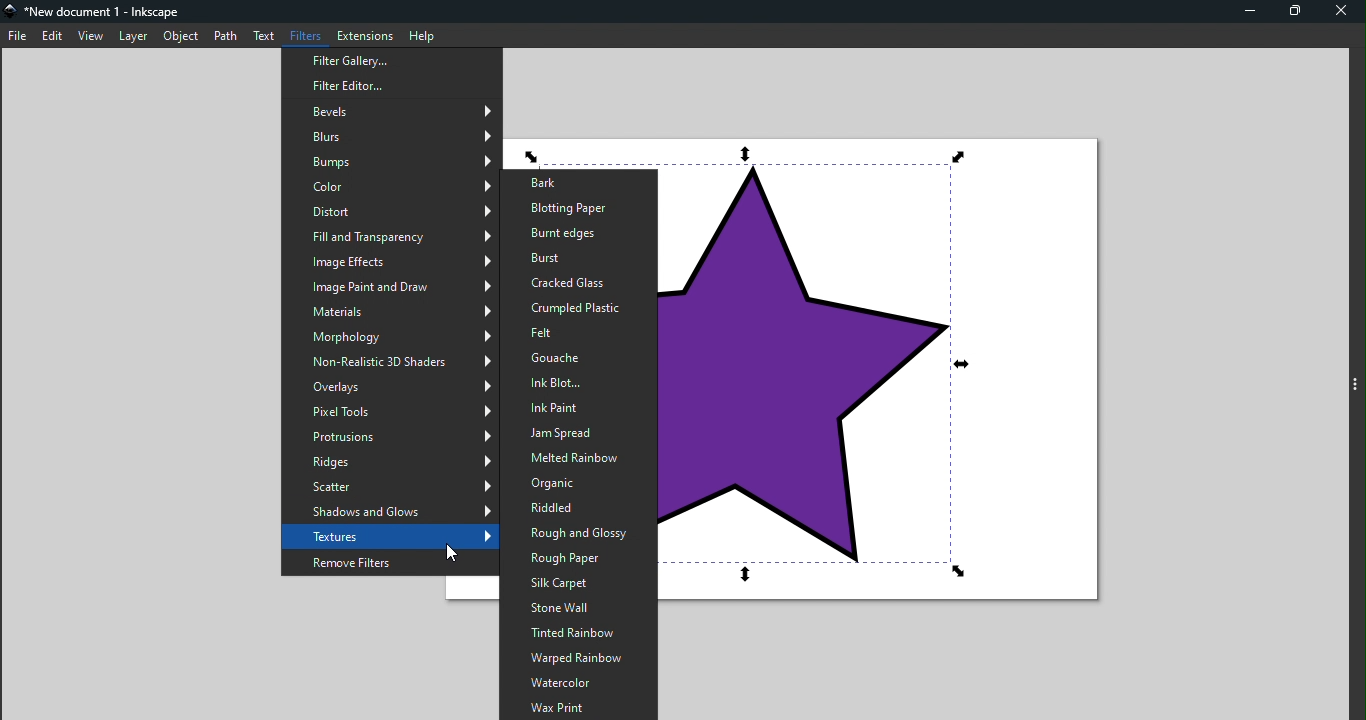 This screenshot has width=1366, height=720. I want to click on Warped rainbow, so click(577, 659).